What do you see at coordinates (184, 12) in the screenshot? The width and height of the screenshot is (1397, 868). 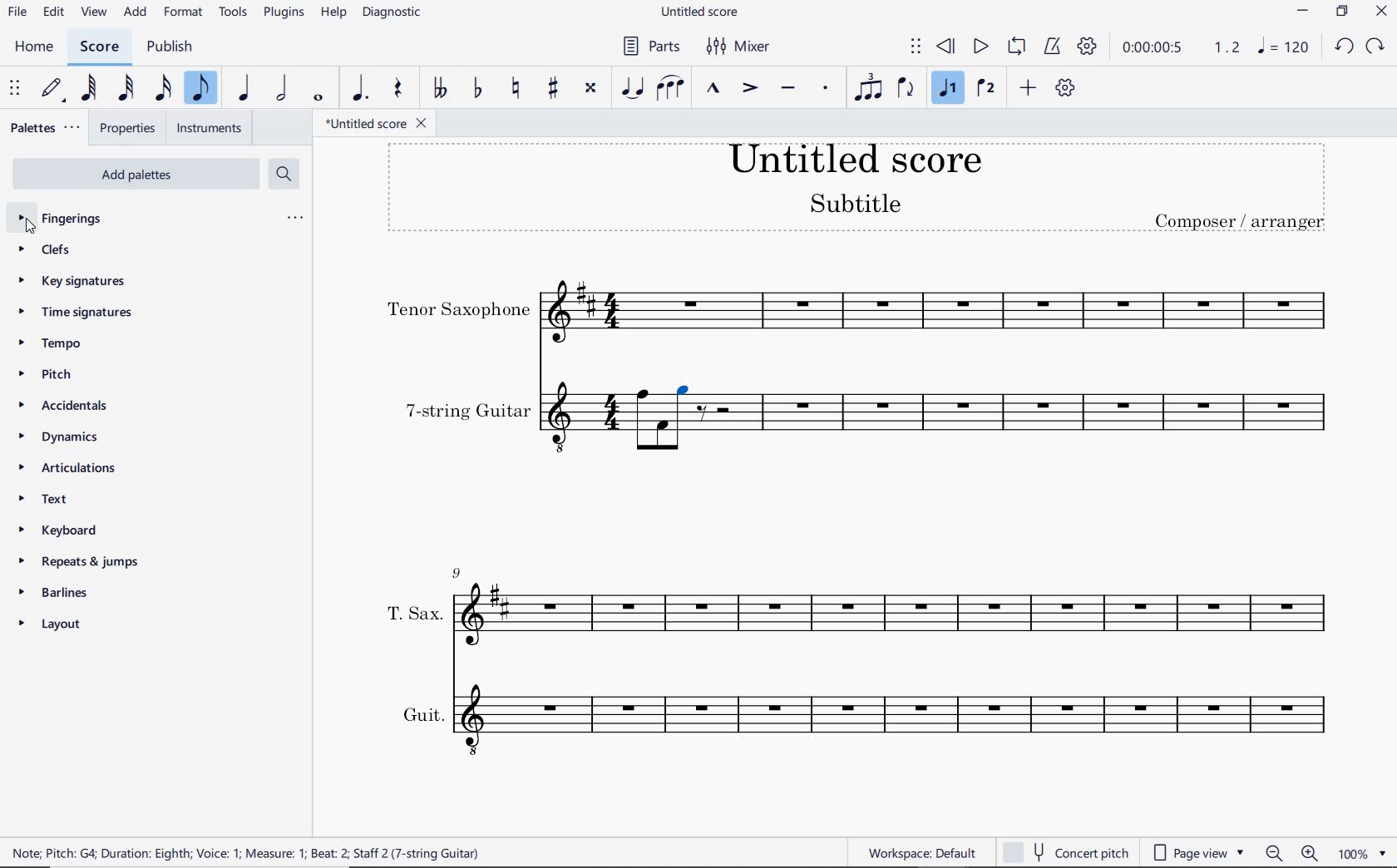 I see `FORMAT` at bounding box center [184, 12].